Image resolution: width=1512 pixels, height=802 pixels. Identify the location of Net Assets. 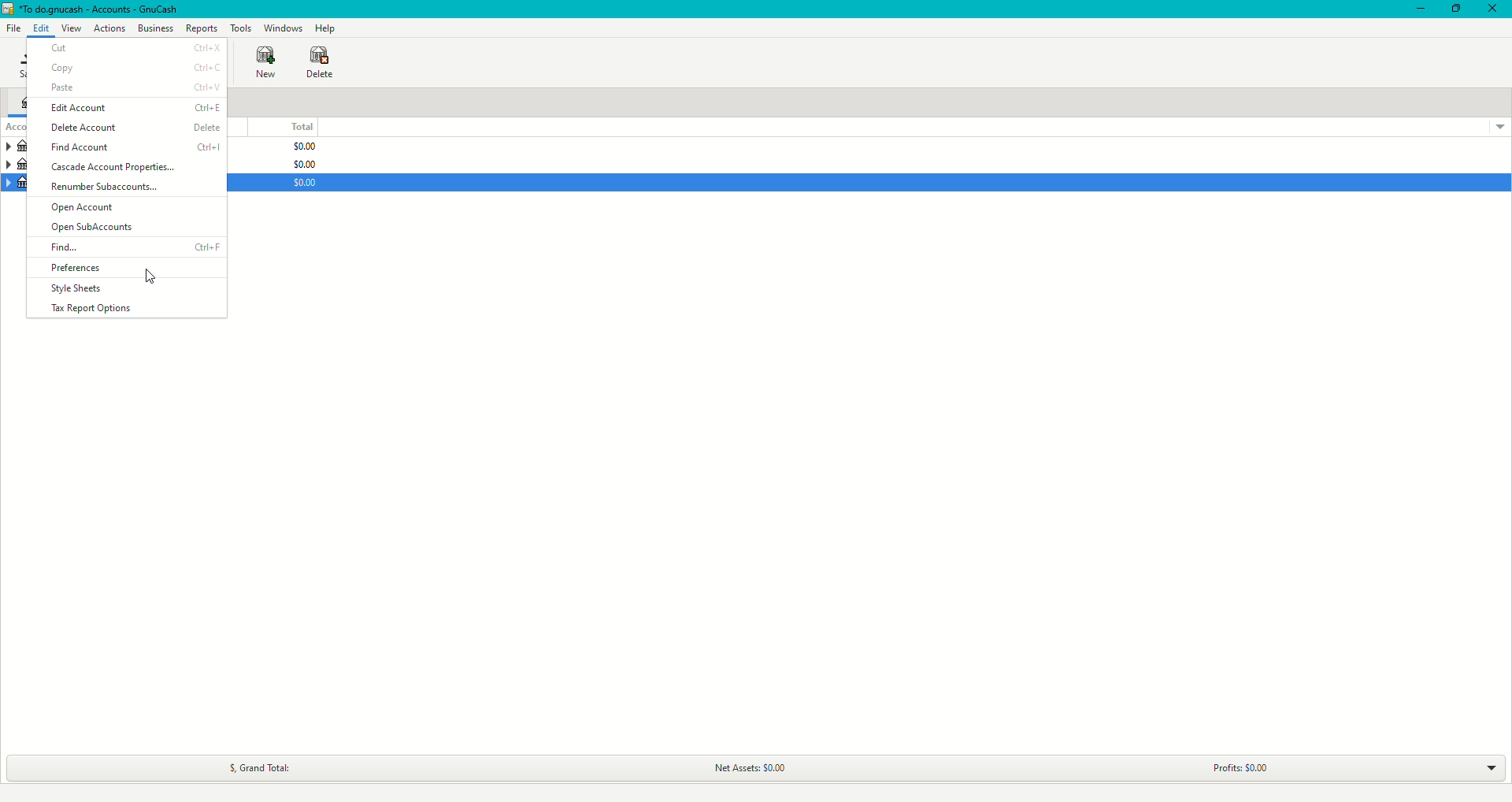
(745, 768).